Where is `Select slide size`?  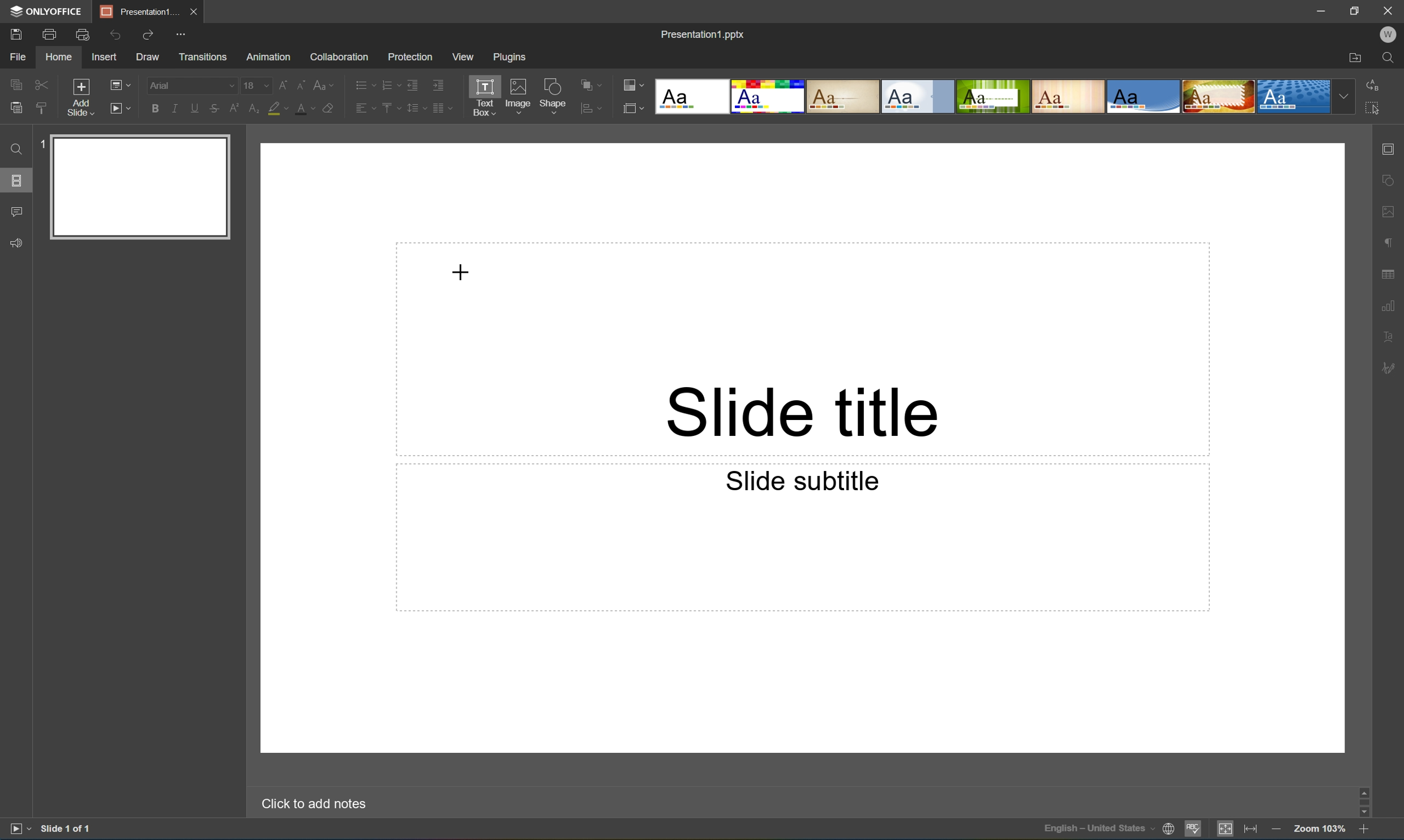
Select slide size is located at coordinates (633, 110).